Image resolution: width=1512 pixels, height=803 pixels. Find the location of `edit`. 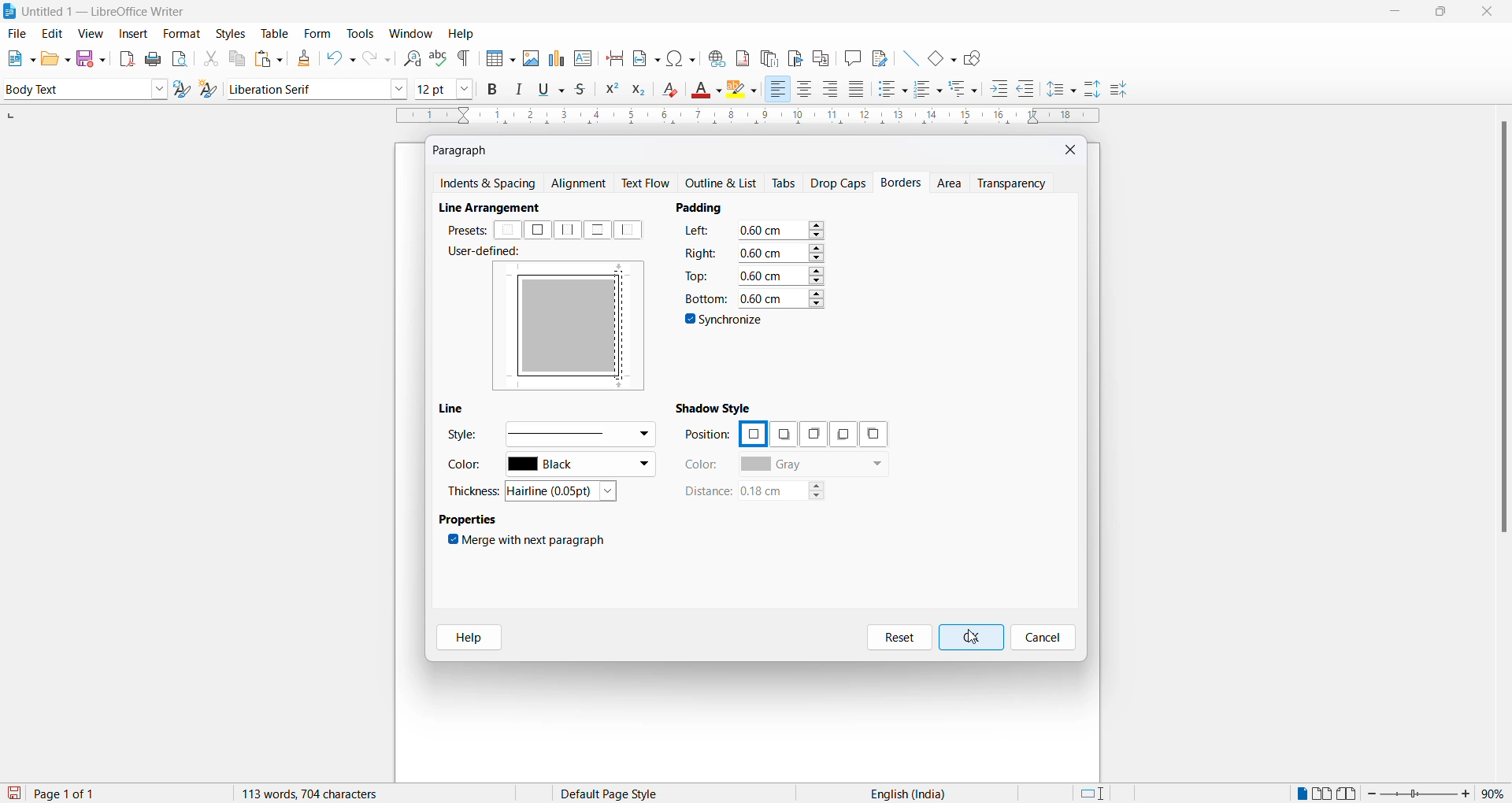

edit is located at coordinates (54, 34).